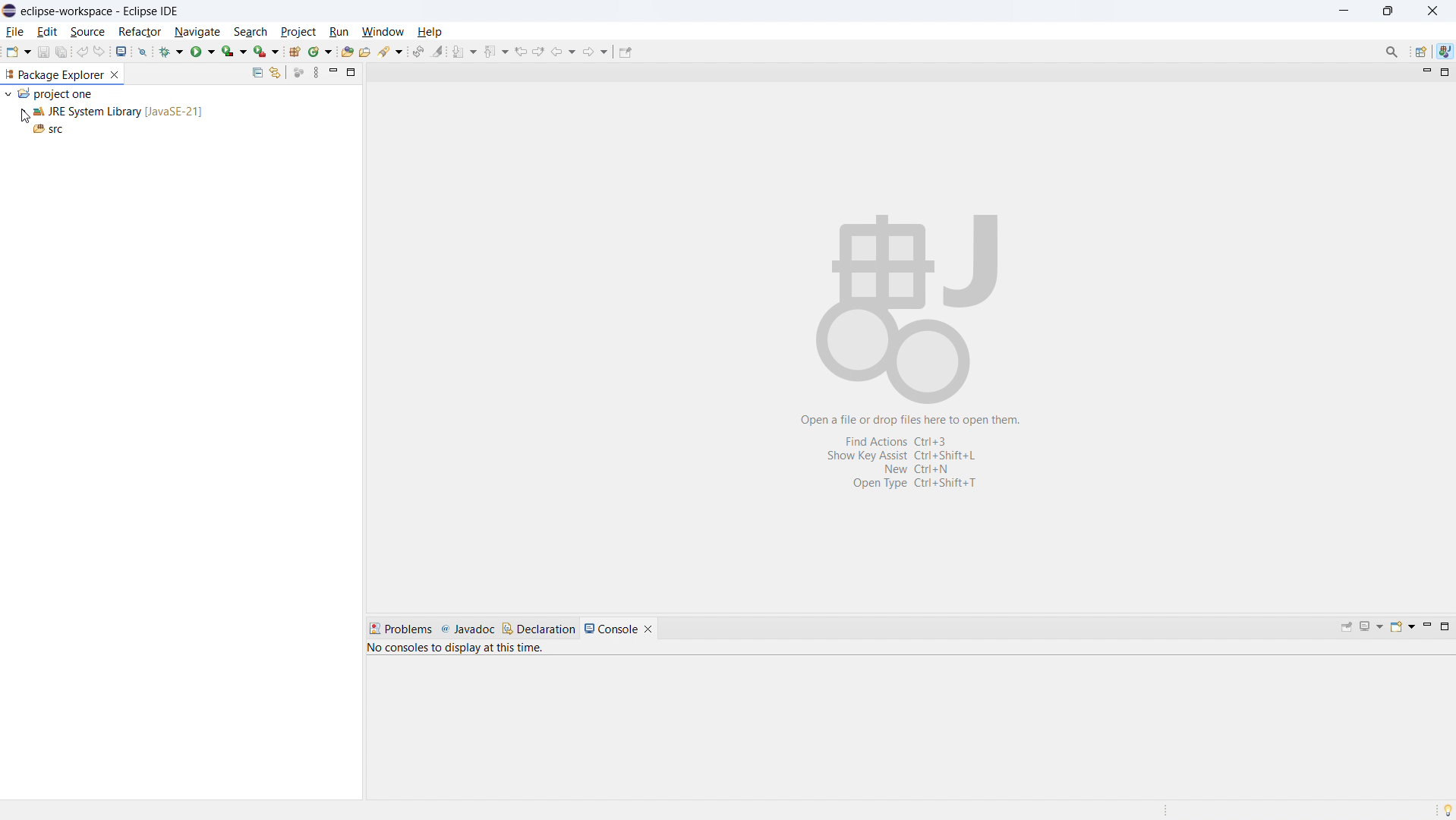  Describe the element at coordinates (82, 54) in the screenshot. I see `undo` at that location.